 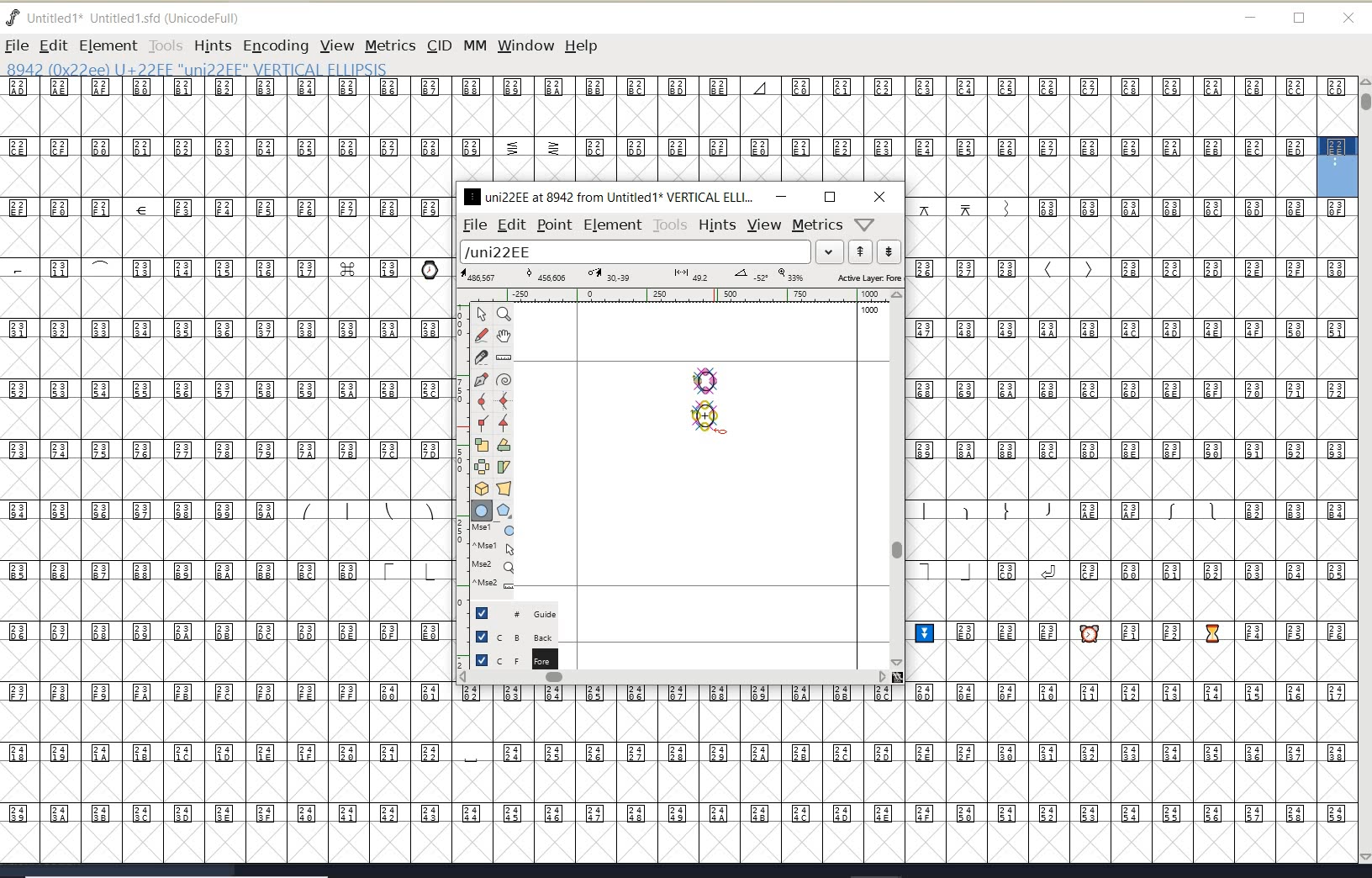 What do you see at coordinates (682, 278) in the screenshot?
I see `active layer` at bounding box center [682, 278].